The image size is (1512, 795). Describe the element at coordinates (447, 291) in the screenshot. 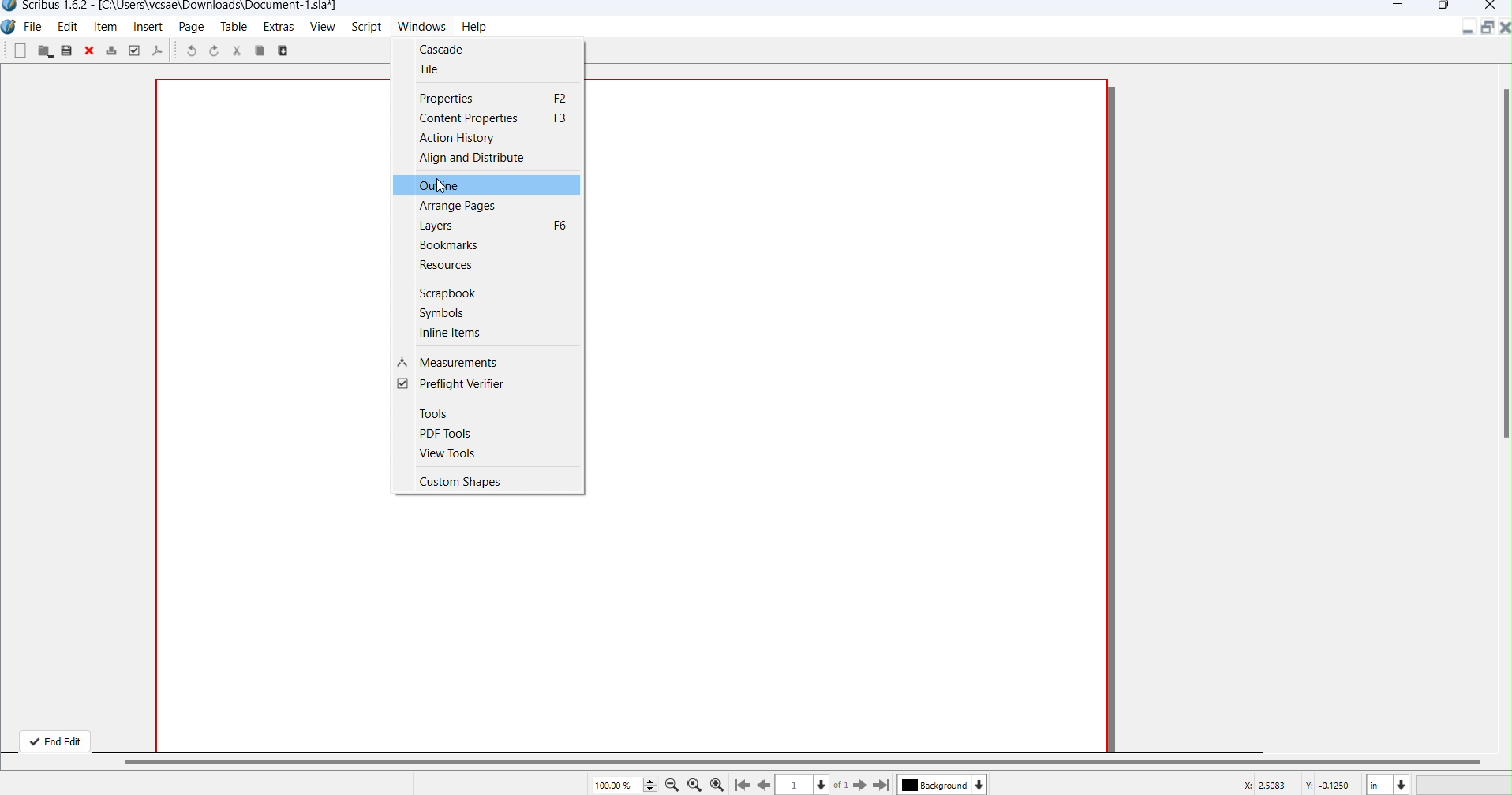

I see `Scraptook` at that location.